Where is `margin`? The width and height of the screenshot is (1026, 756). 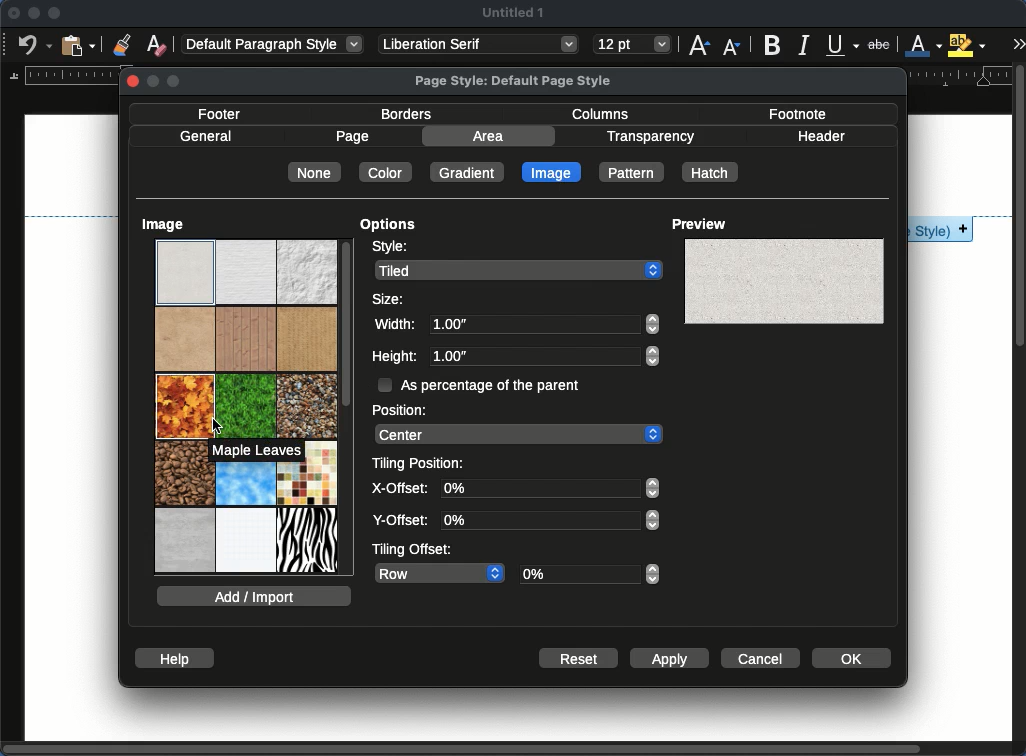 margin is located at coordinates (63, 75).